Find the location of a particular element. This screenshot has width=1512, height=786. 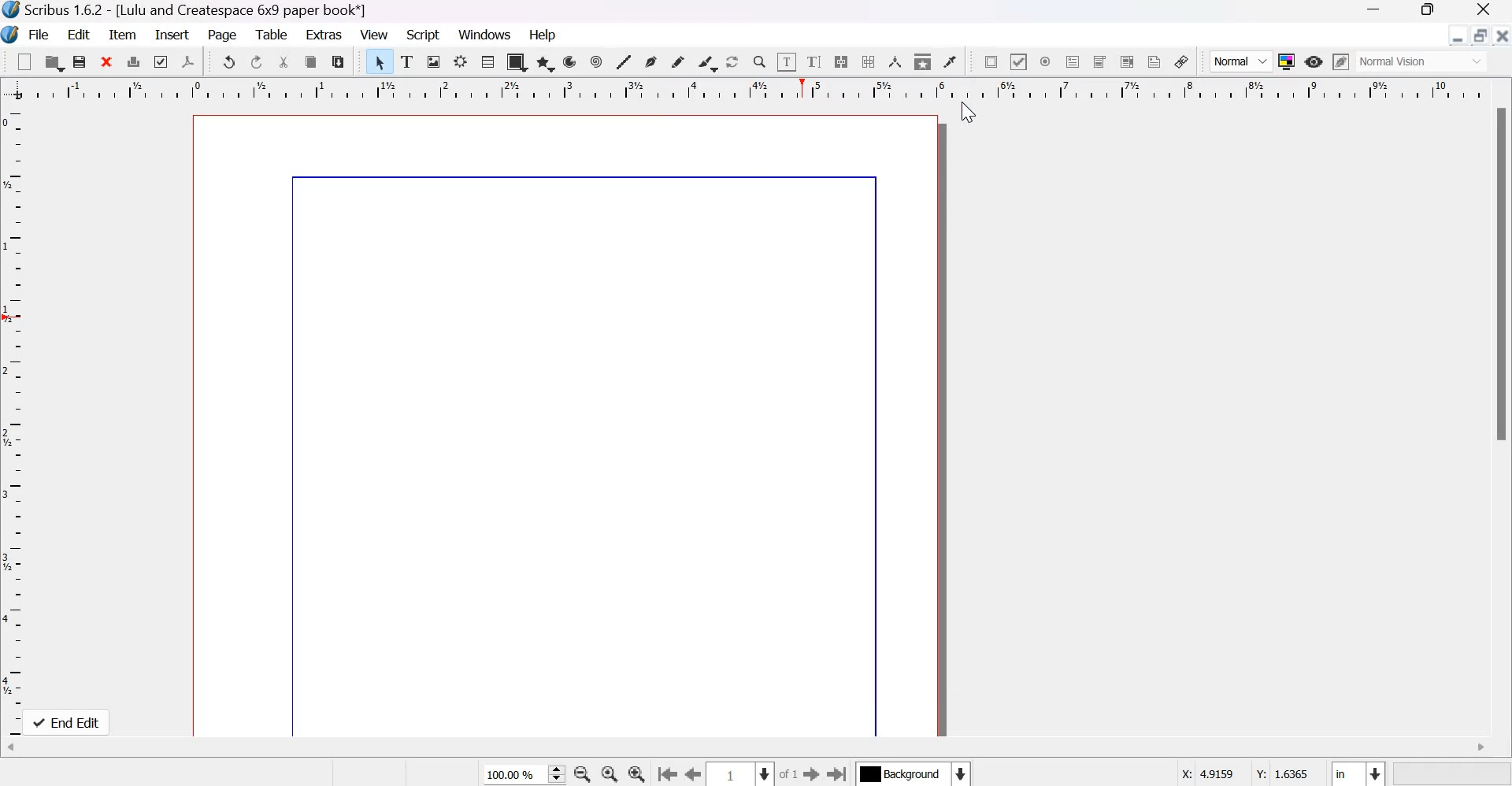

save is located at coordinates (80, 61).